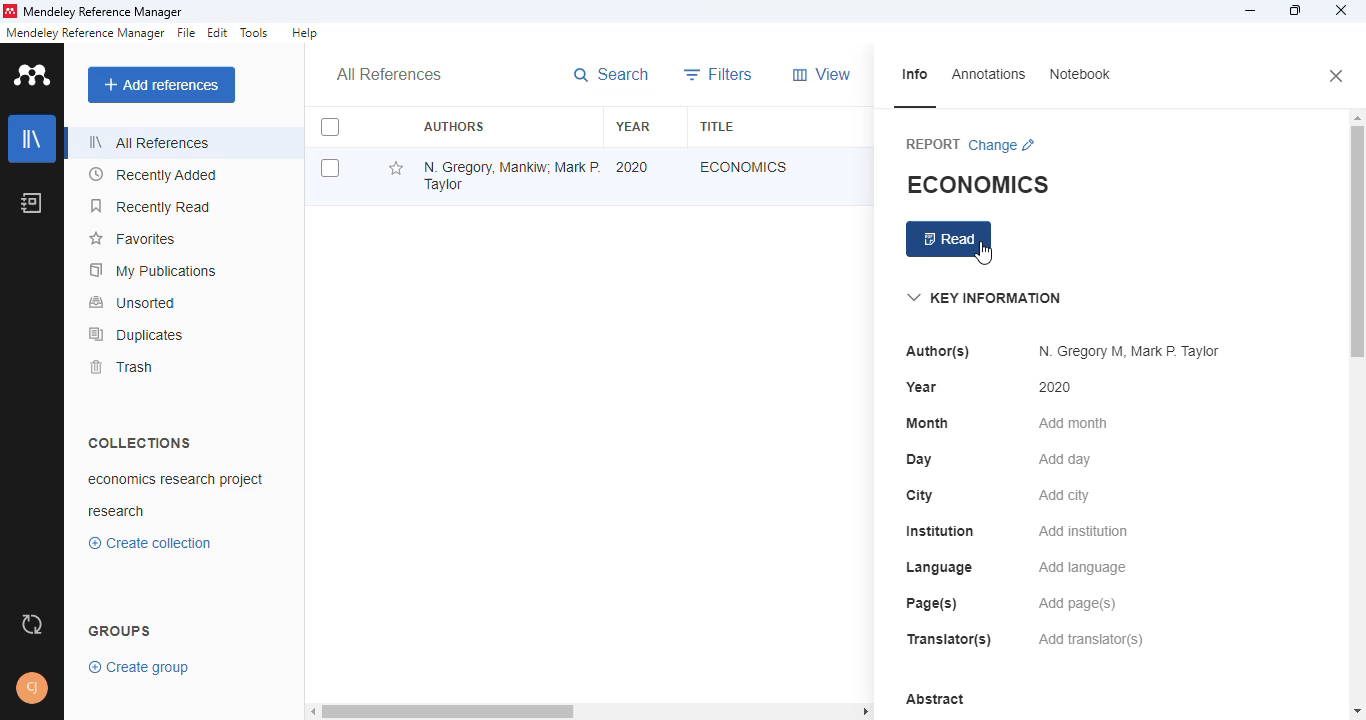 Image resolution: width=1366 pixels, height=720 pixels. Describe the element at coordinates (1251, 11) in the screenshot. I see `minimize` at that location.